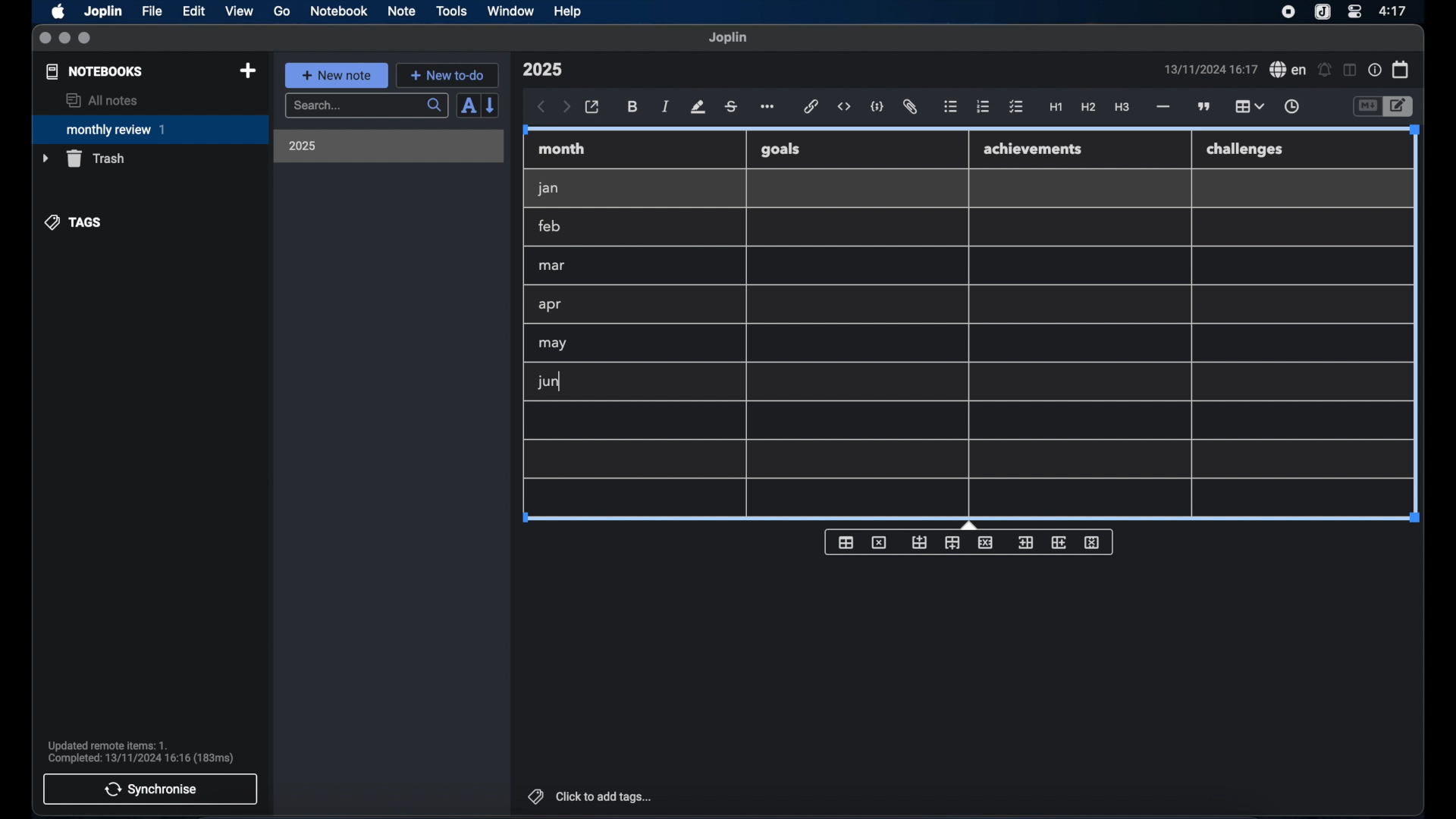  Describe the element at coordinates (74, 222) in the screenshot. I see `tags` at that location.